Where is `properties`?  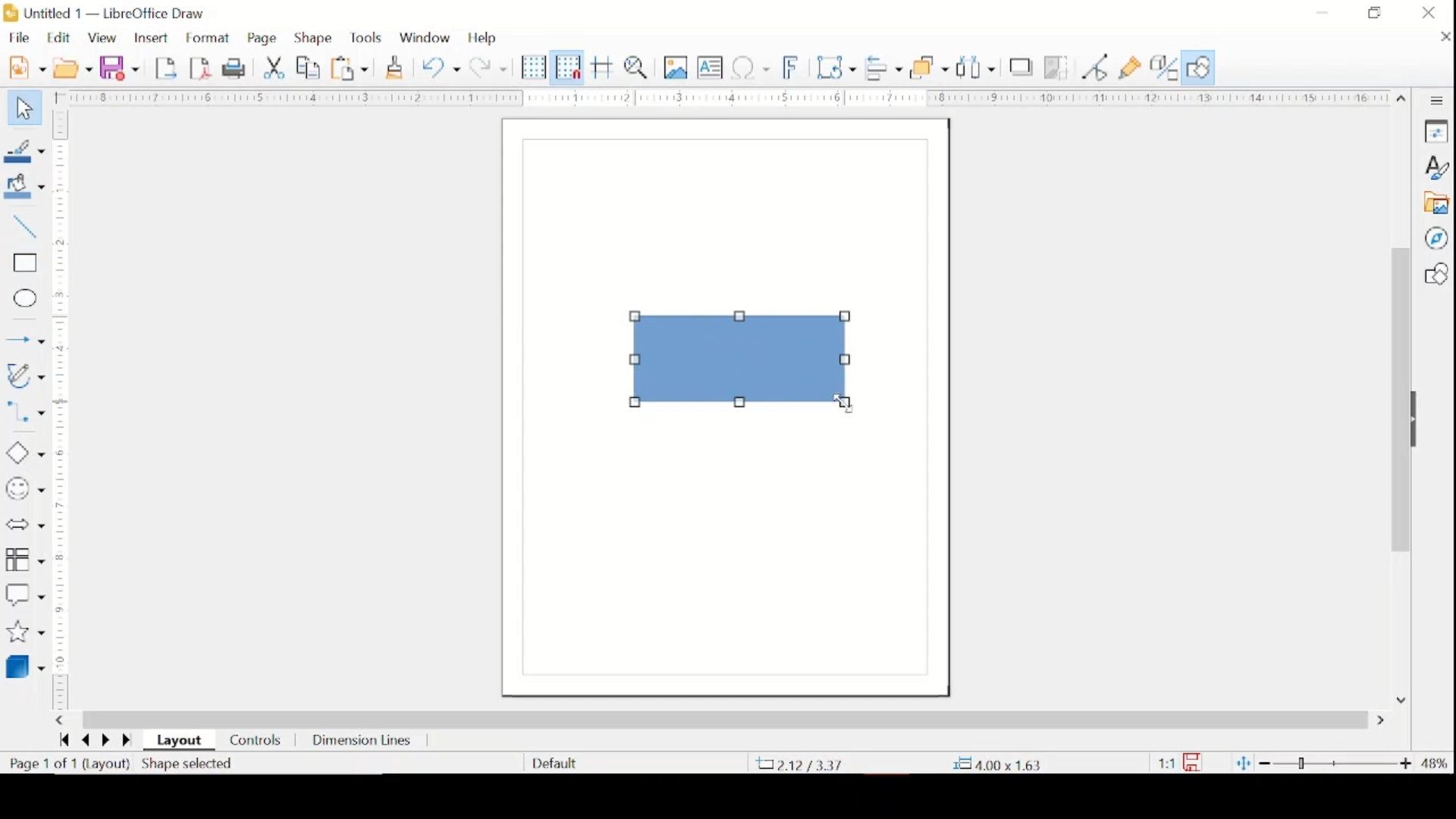
properties is located at coordinates (1436, 130).